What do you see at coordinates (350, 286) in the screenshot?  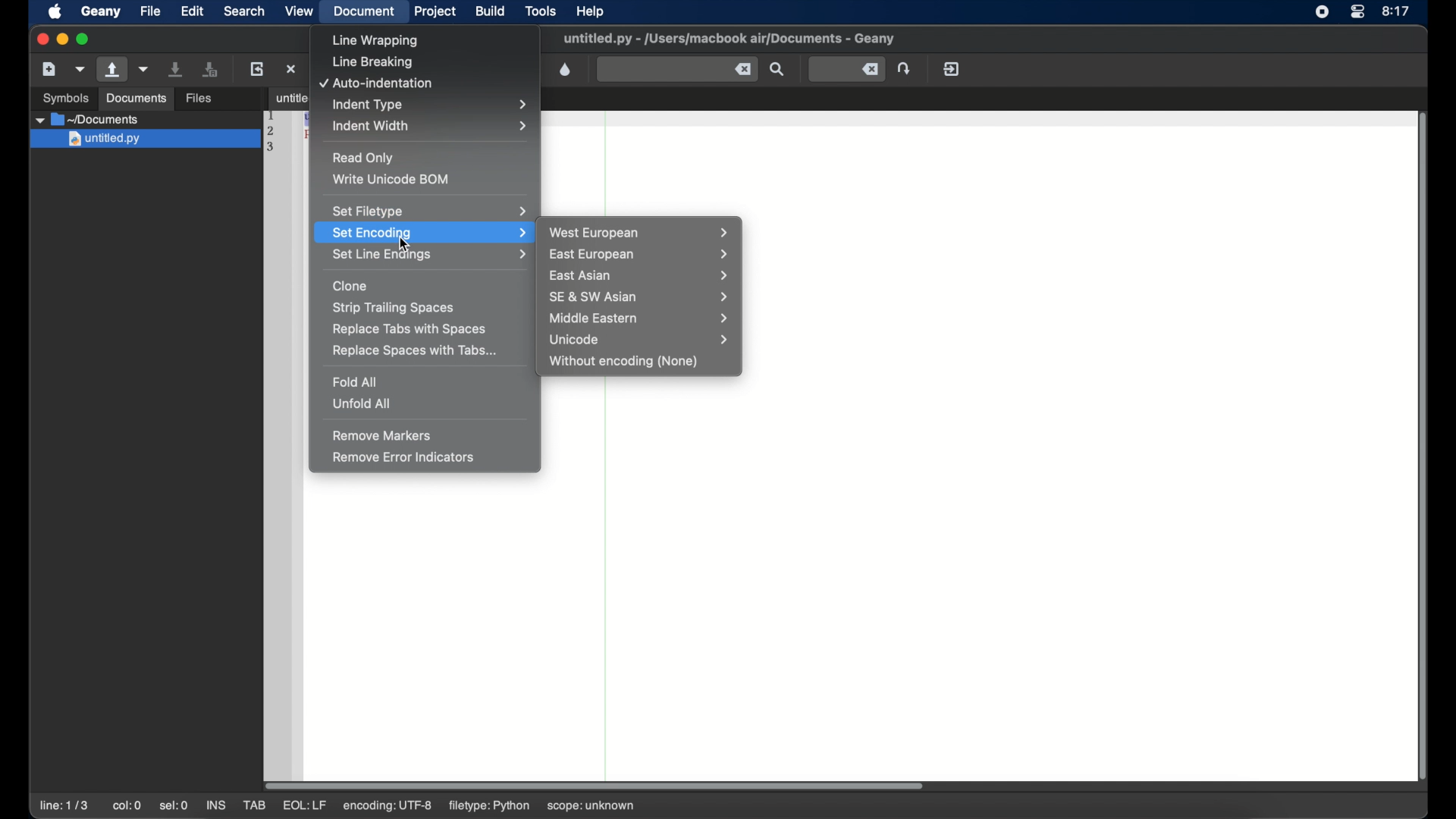 I see `clone` at bounding box center [350, 286].